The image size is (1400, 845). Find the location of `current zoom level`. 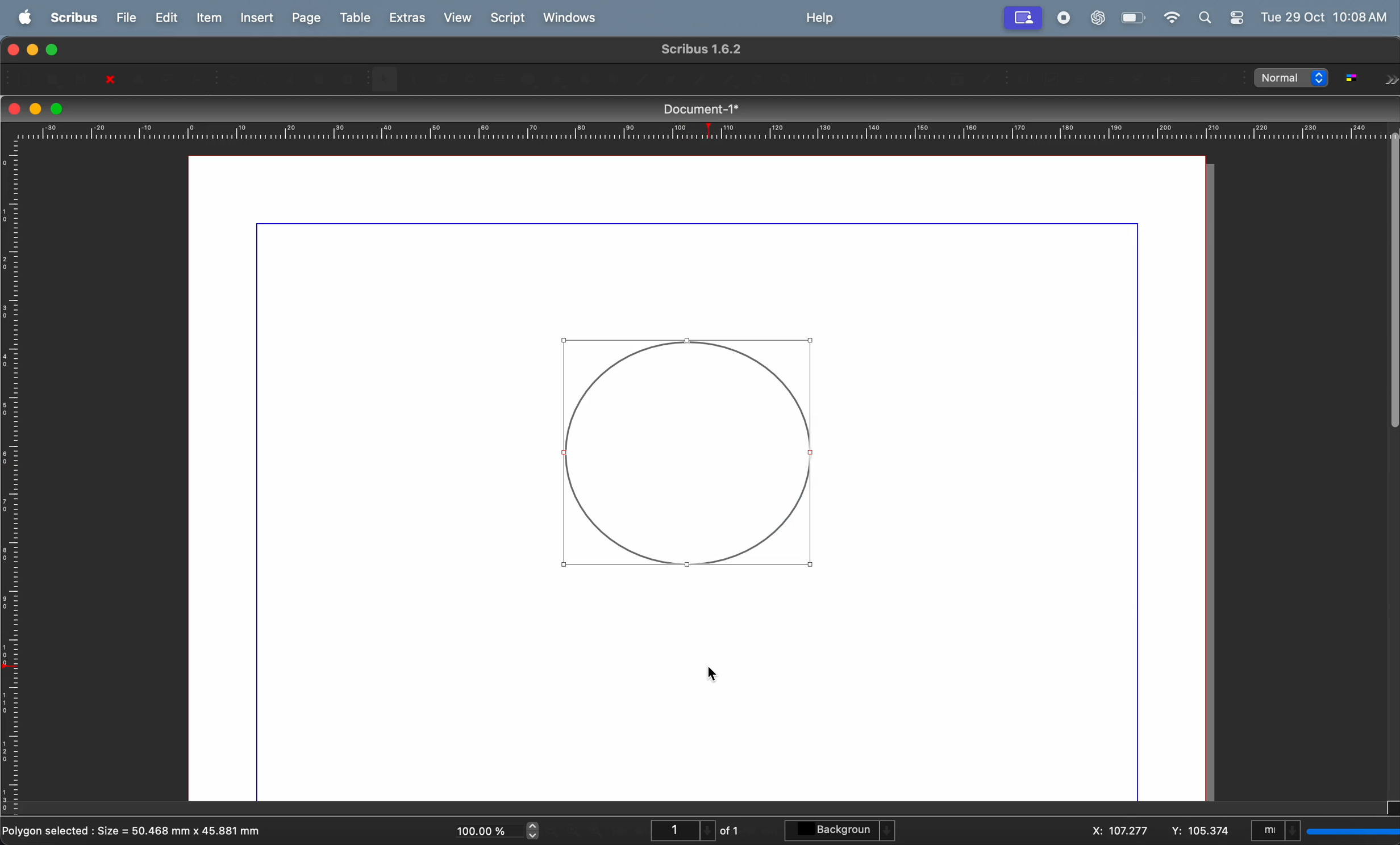

current zoom level is located at coordinates (502, 830).